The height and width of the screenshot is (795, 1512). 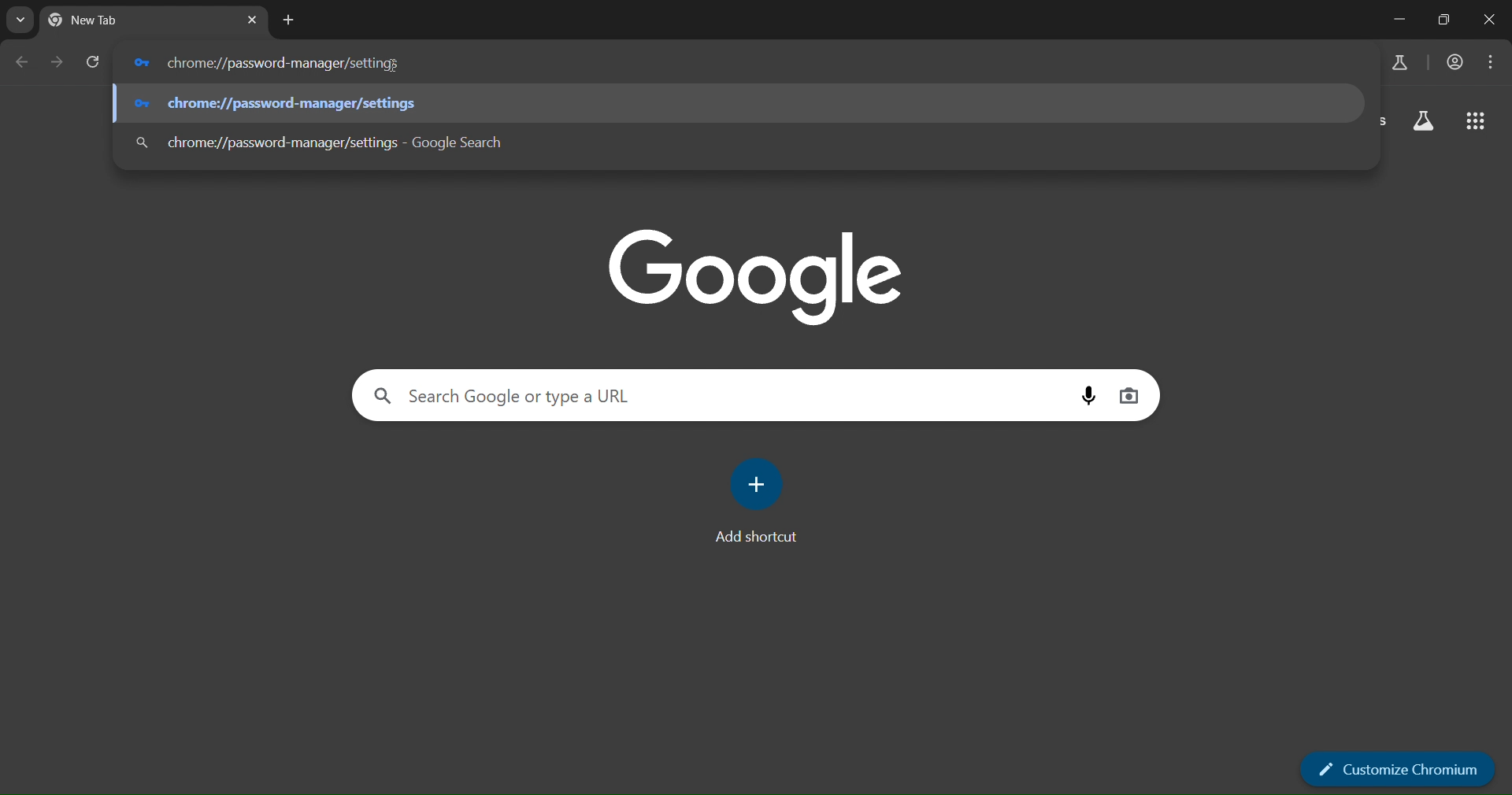 What do you see at coordinates (1132, 397) in the screenshot?
I see `image search` at bounding box center [1132, 397].